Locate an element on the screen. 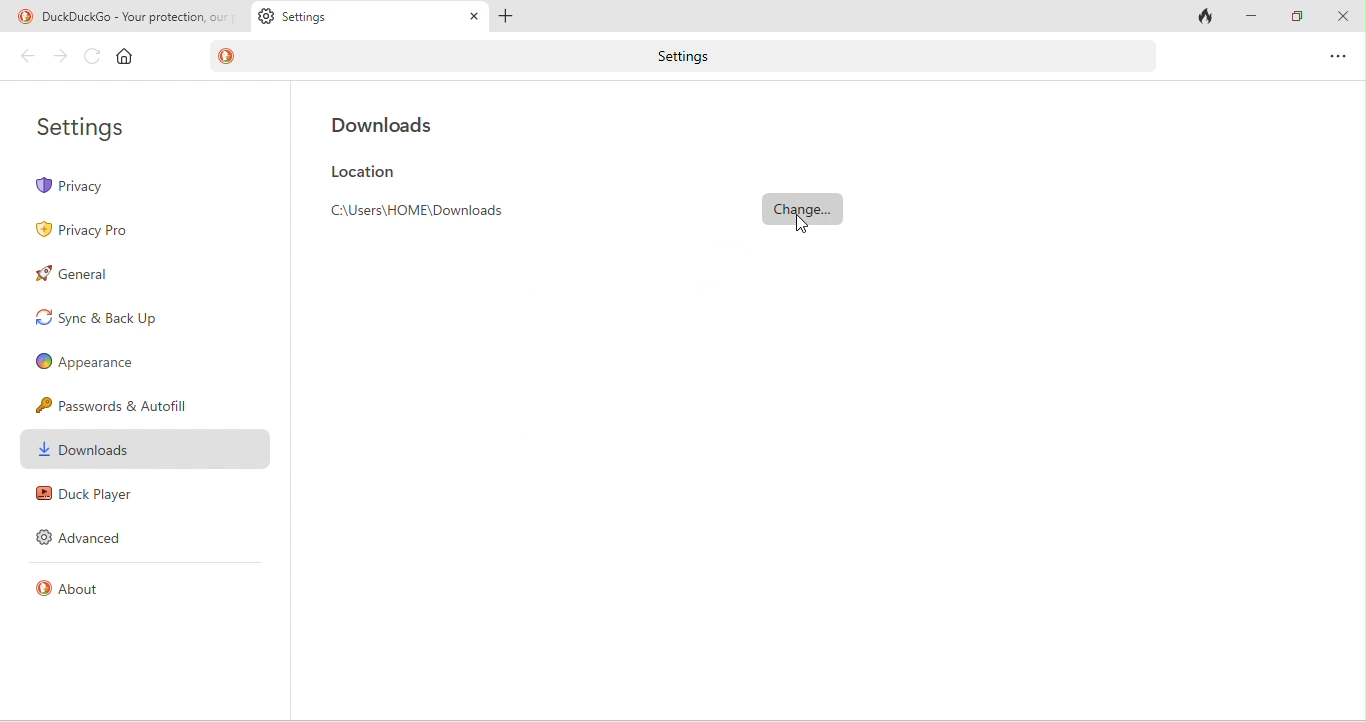 The width and height of the screenshot is (1366, 722). refresh is located at coordinates (88, 56).